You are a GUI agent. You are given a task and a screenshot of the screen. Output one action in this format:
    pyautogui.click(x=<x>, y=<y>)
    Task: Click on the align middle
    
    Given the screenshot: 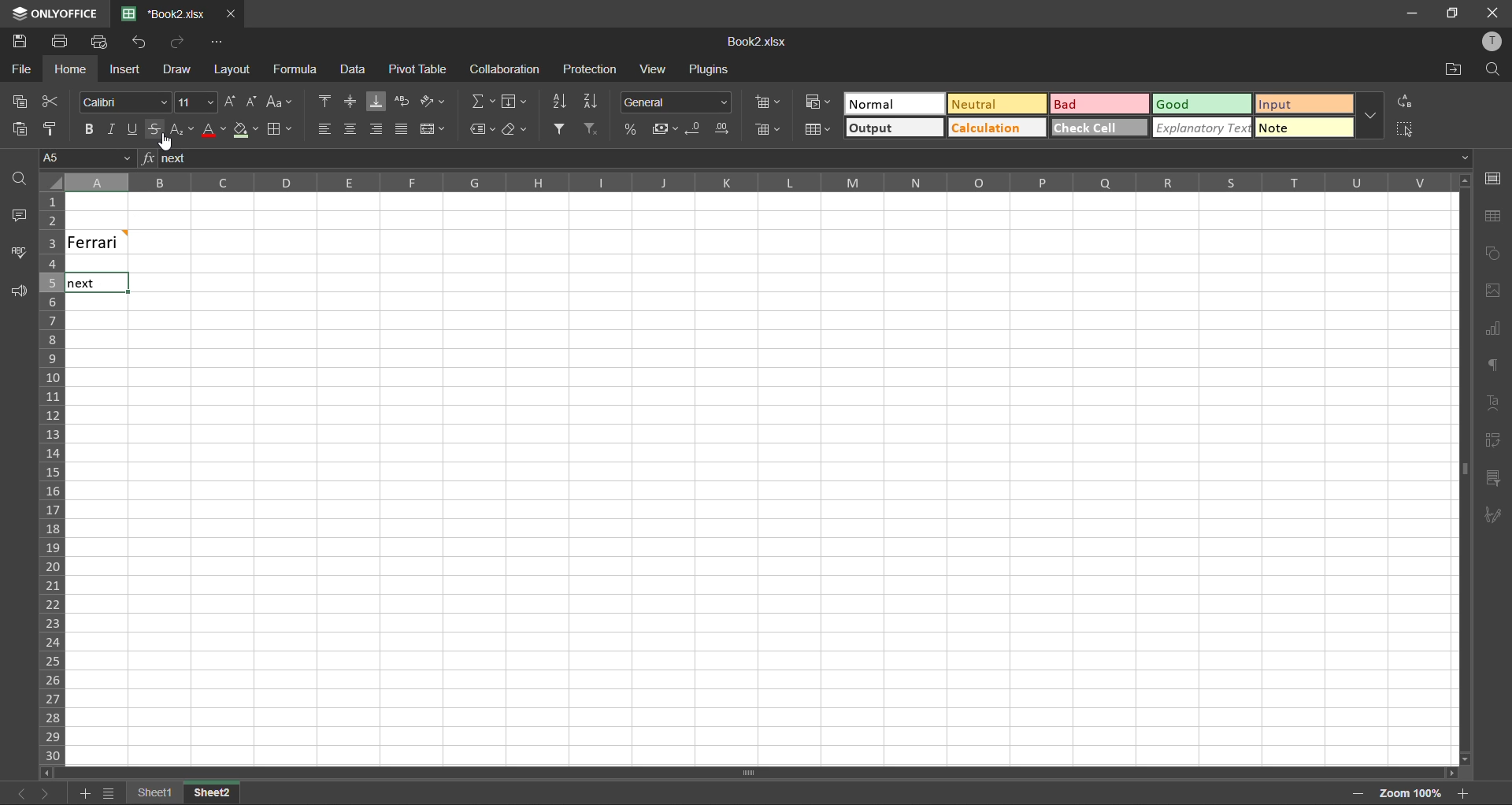 What is the action you would take?
    pyautogui.click(x=350, y=129)
    